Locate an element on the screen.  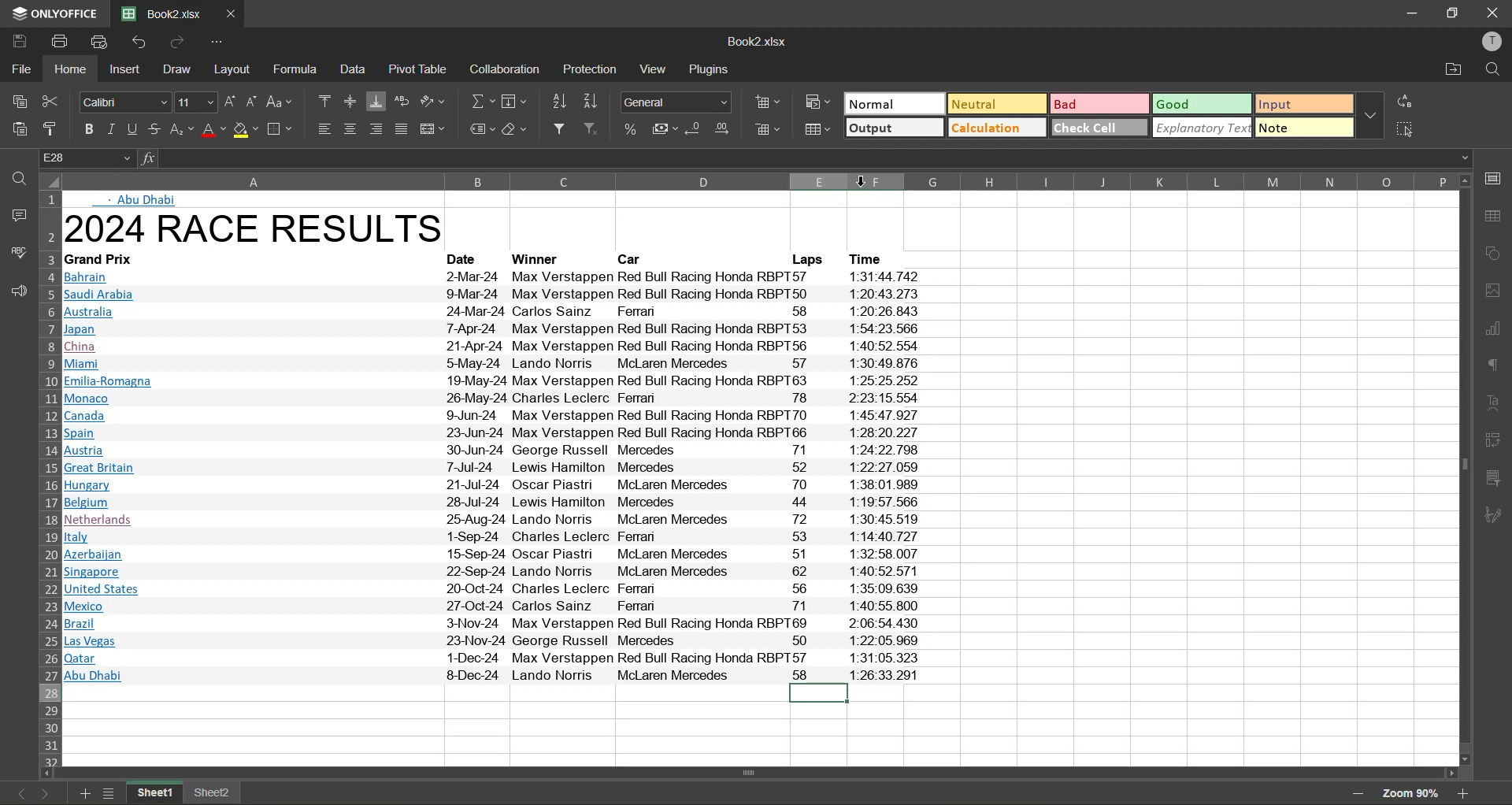
input is located at coordinates (1304, 104).